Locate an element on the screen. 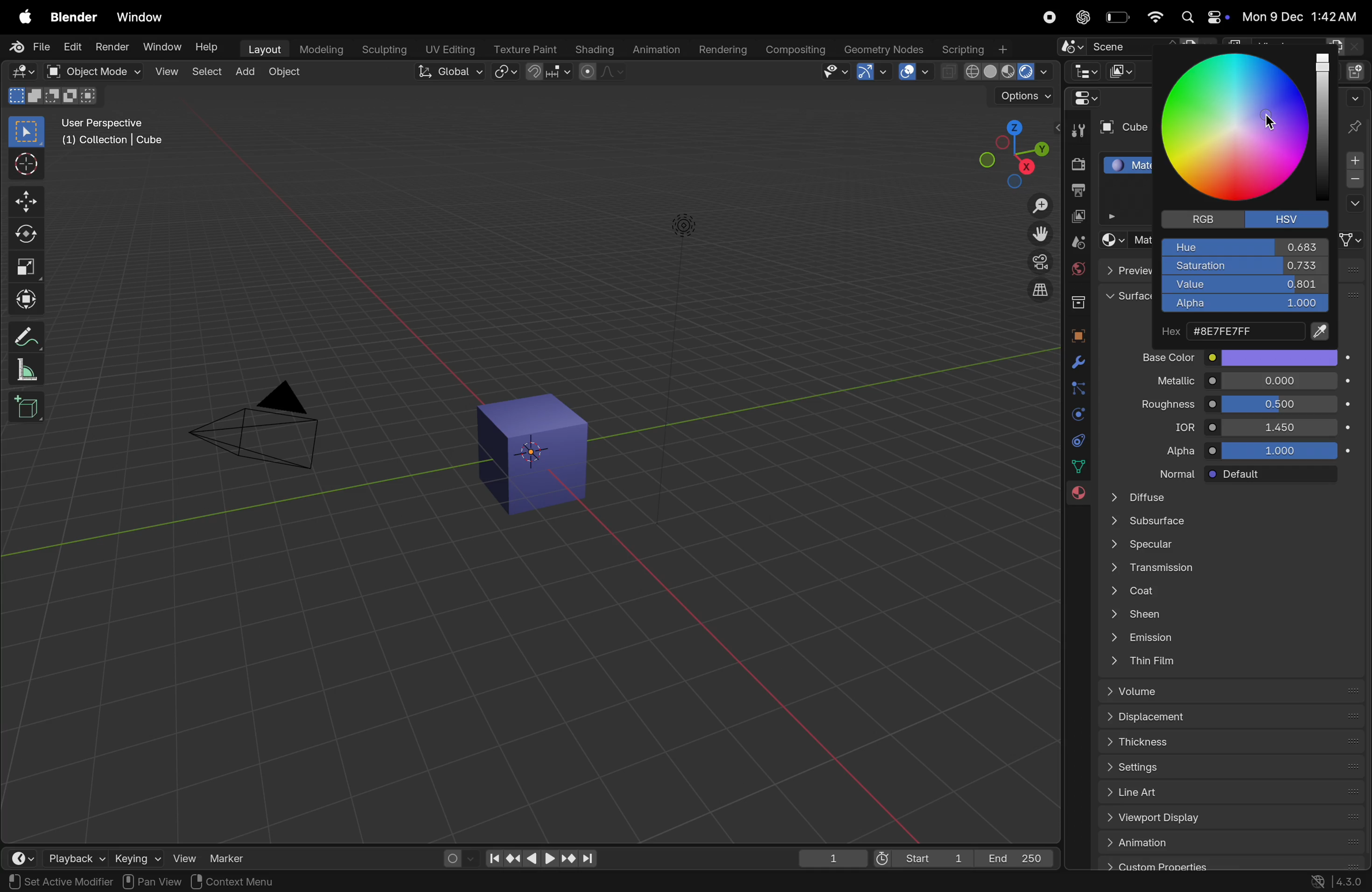 This screenshot has width=1372, height=892. rendering is located at coordinates (723, 50).